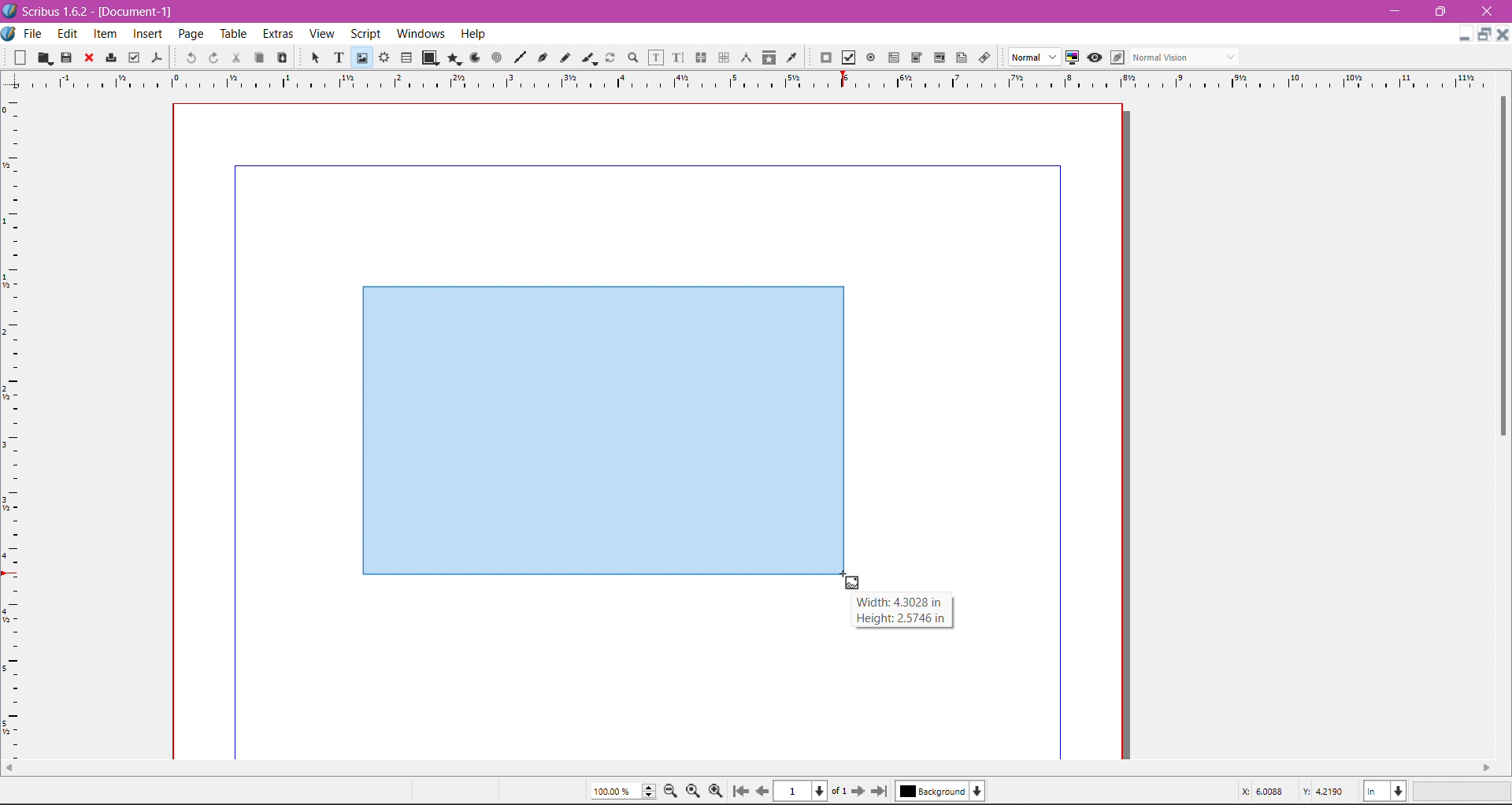 Image resolution: width=1512 pixels, height=805 pixels. I want to click on C, so click(1486, 12).